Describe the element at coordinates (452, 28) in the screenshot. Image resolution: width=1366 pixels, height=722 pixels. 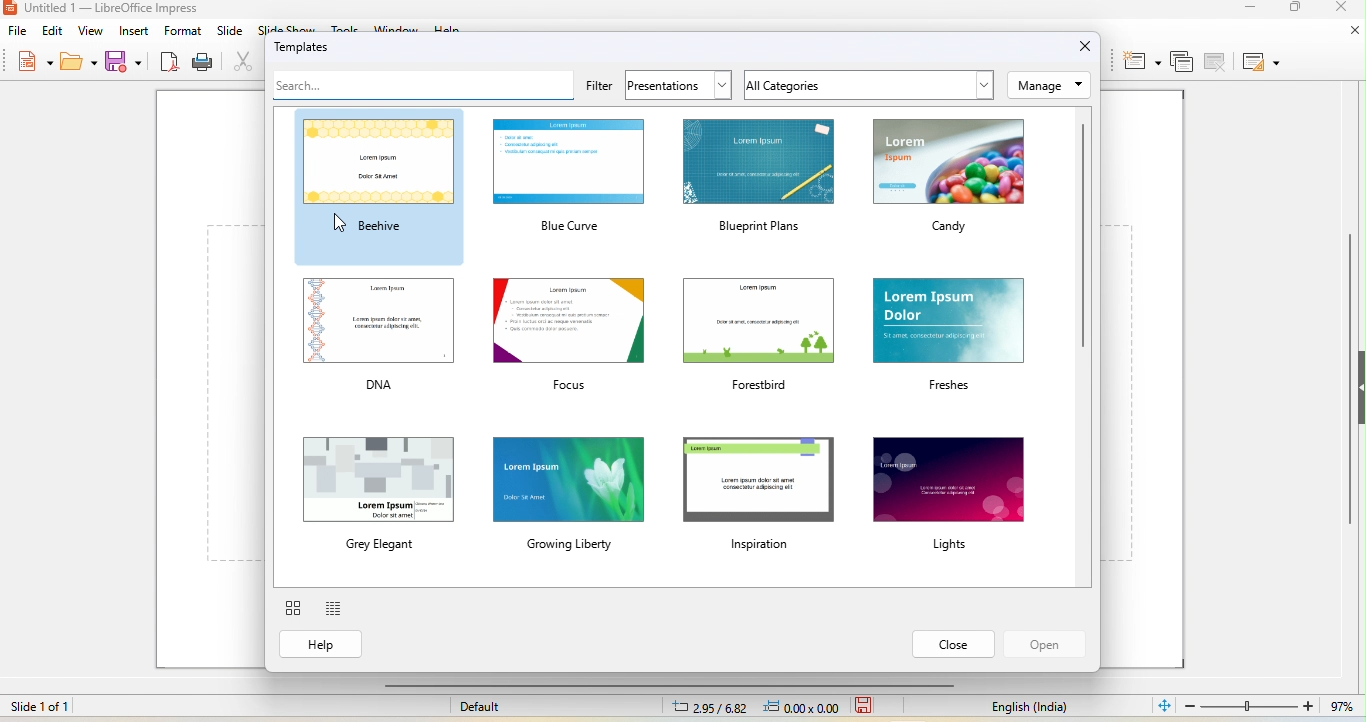
I see `help` at that location.